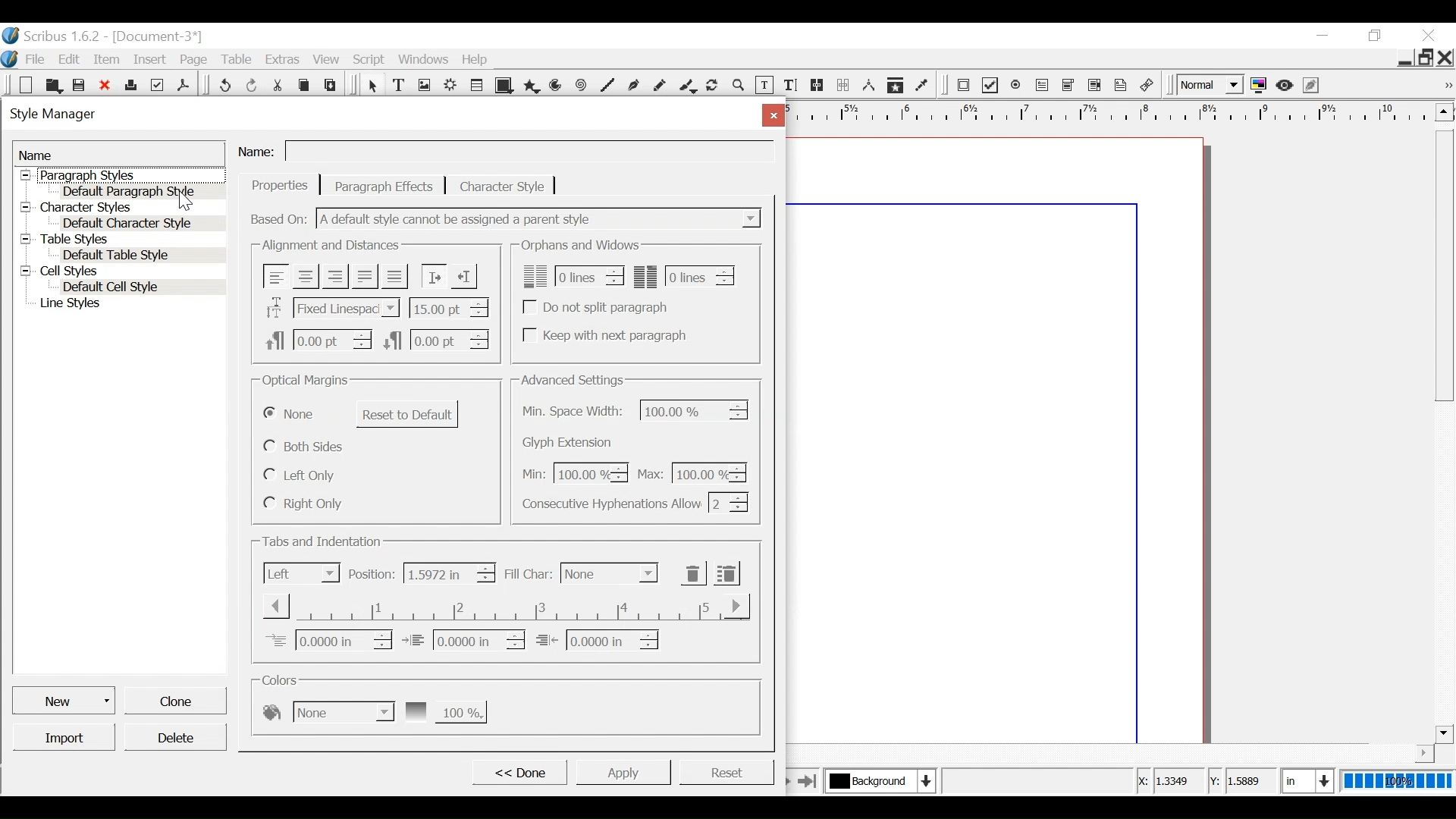 The width and height of the screenshot is (1456, 819). What do you see at coordinates (689, 87) in the screenshot?
I see `Caligraphic line` at bounding box center [689, 87].